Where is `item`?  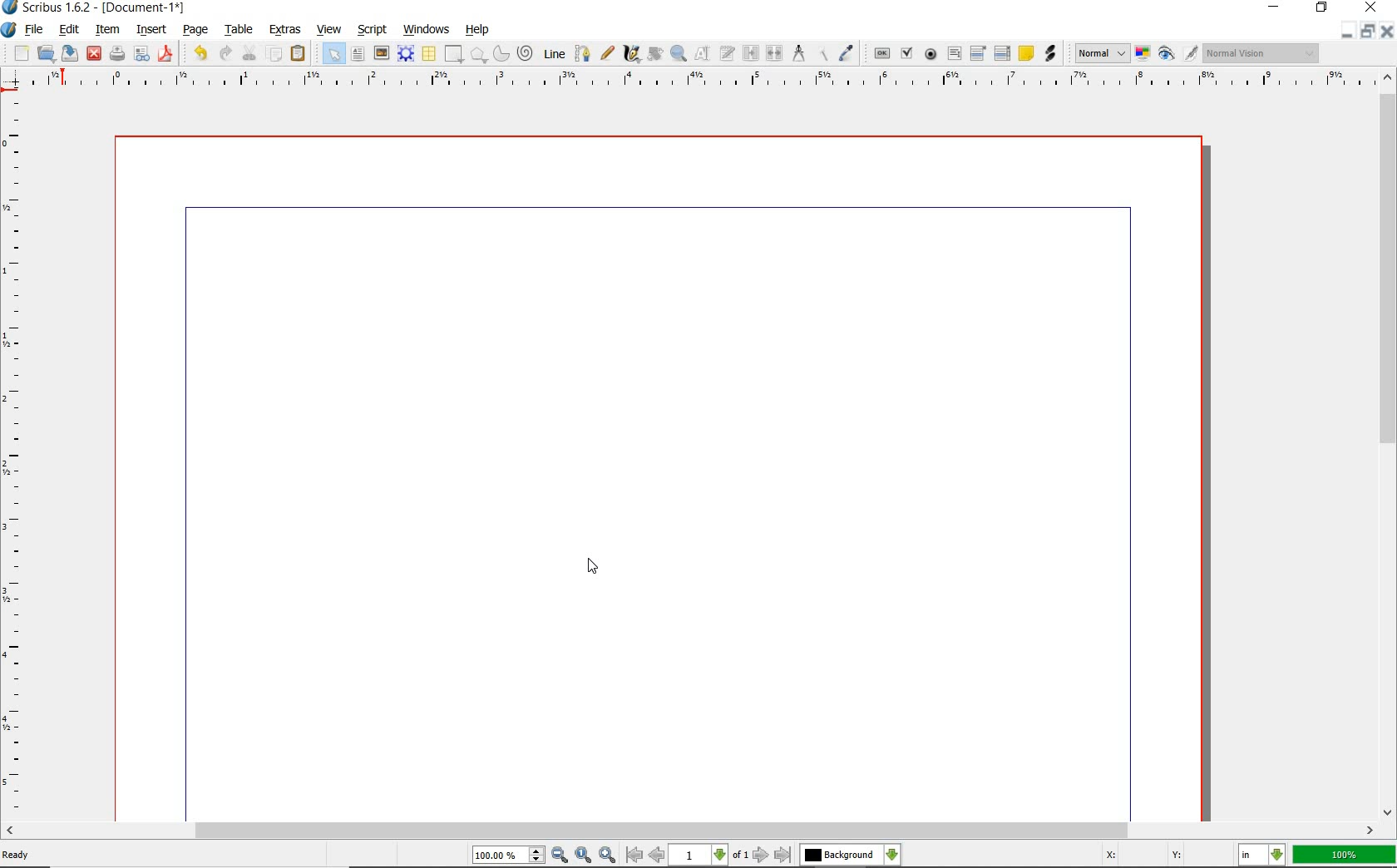 item is located at coordinates (108, 29).